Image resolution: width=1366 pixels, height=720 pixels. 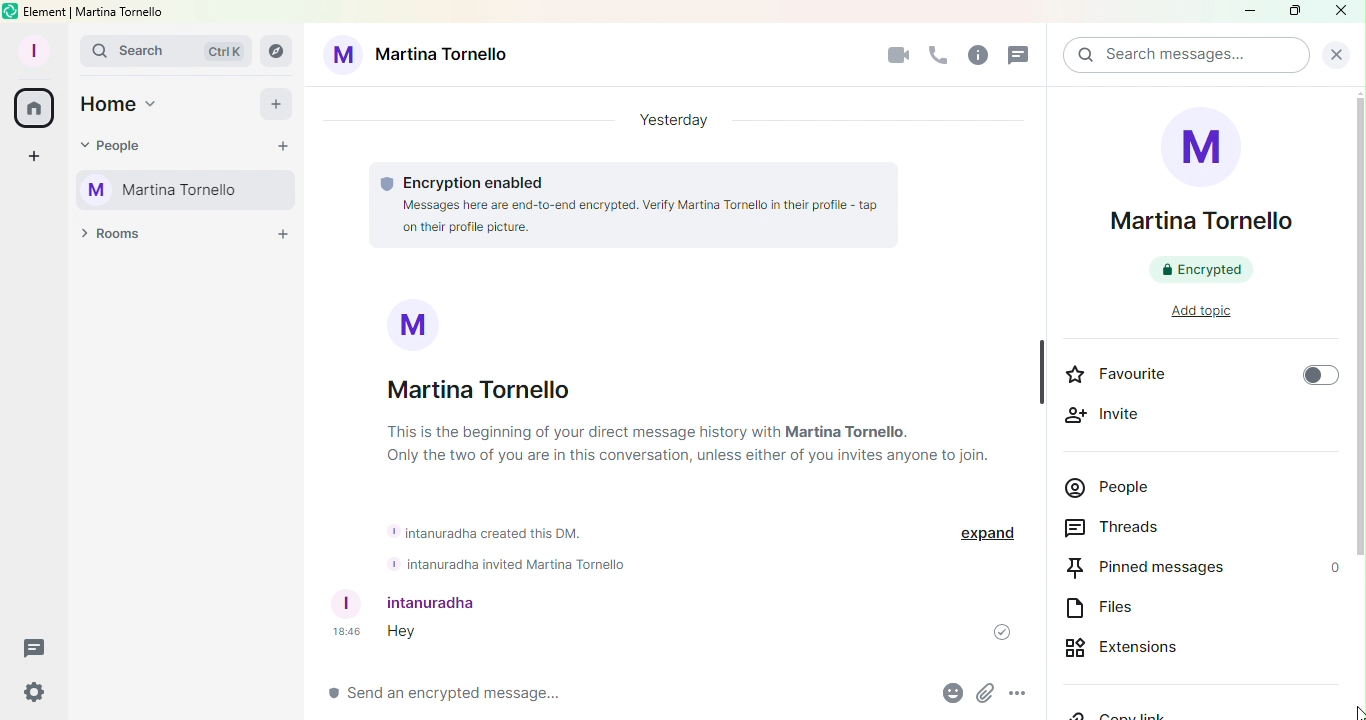 I want to click on Add, so click(x=279, y=109).